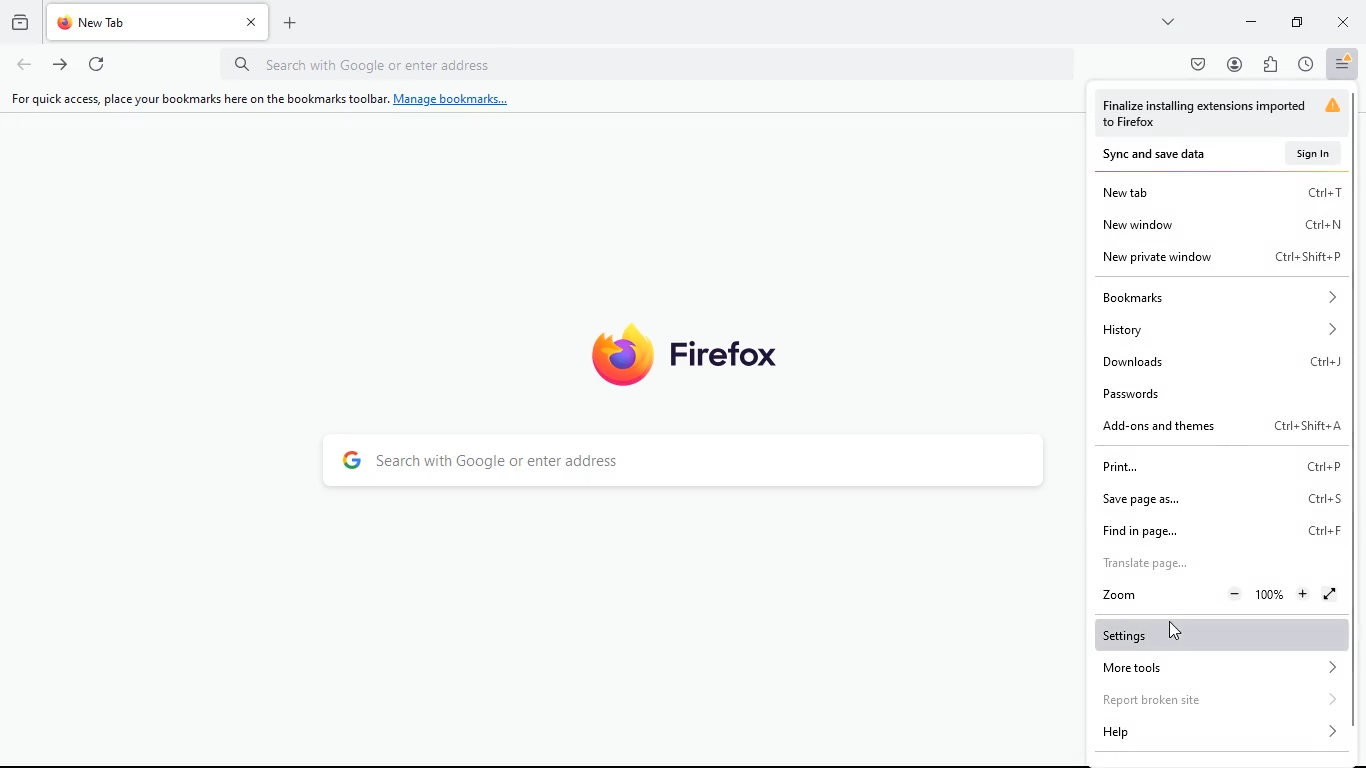 Image resolution: width=1366 pixels, height=768 pixels. I want to click on new window, so click(1219, 223).